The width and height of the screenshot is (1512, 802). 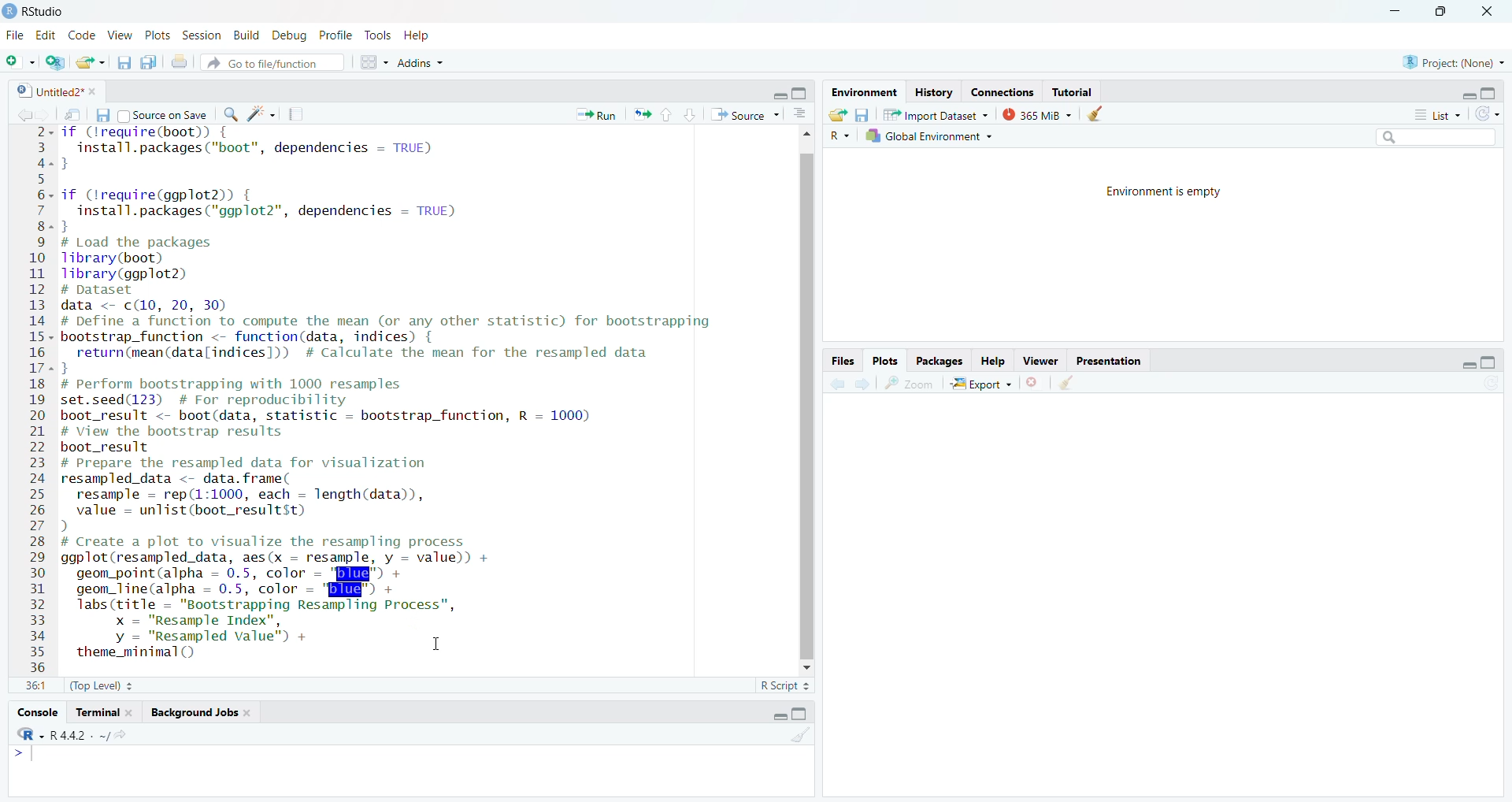 What do you see at coordinates (1490, 91) in the screenshot?
I see `hide console` at bounding box center [1490, 91].